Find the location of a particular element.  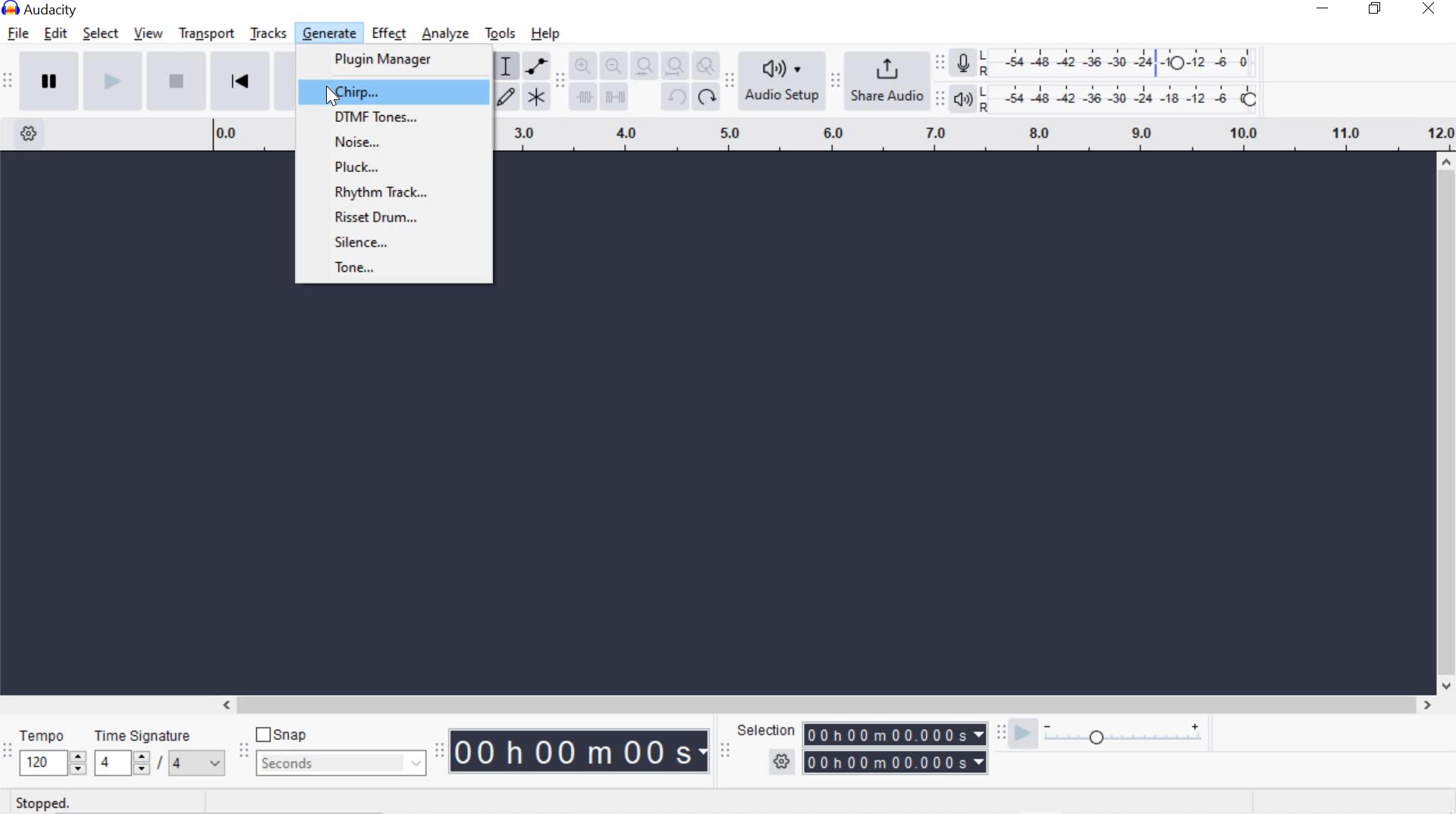

seconds is located at coordinates (341, 762).